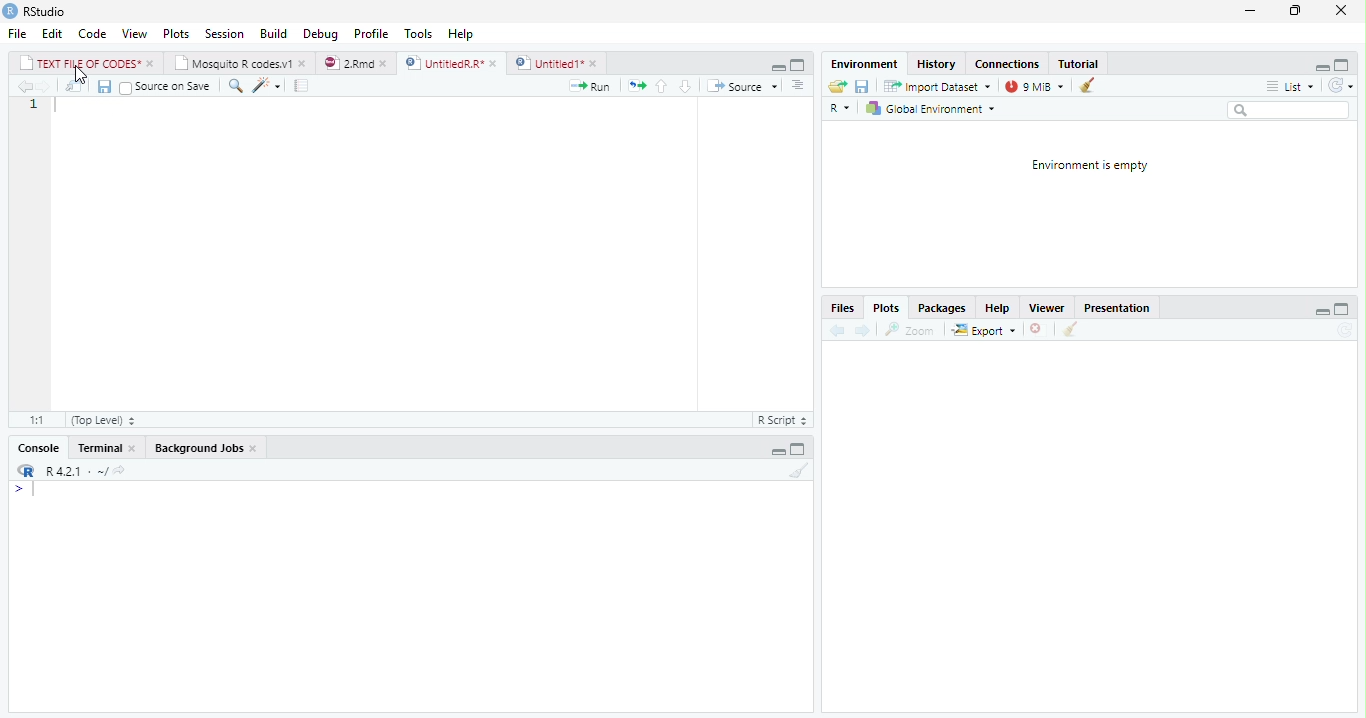  I want to click on compile report, so click(304, 88).